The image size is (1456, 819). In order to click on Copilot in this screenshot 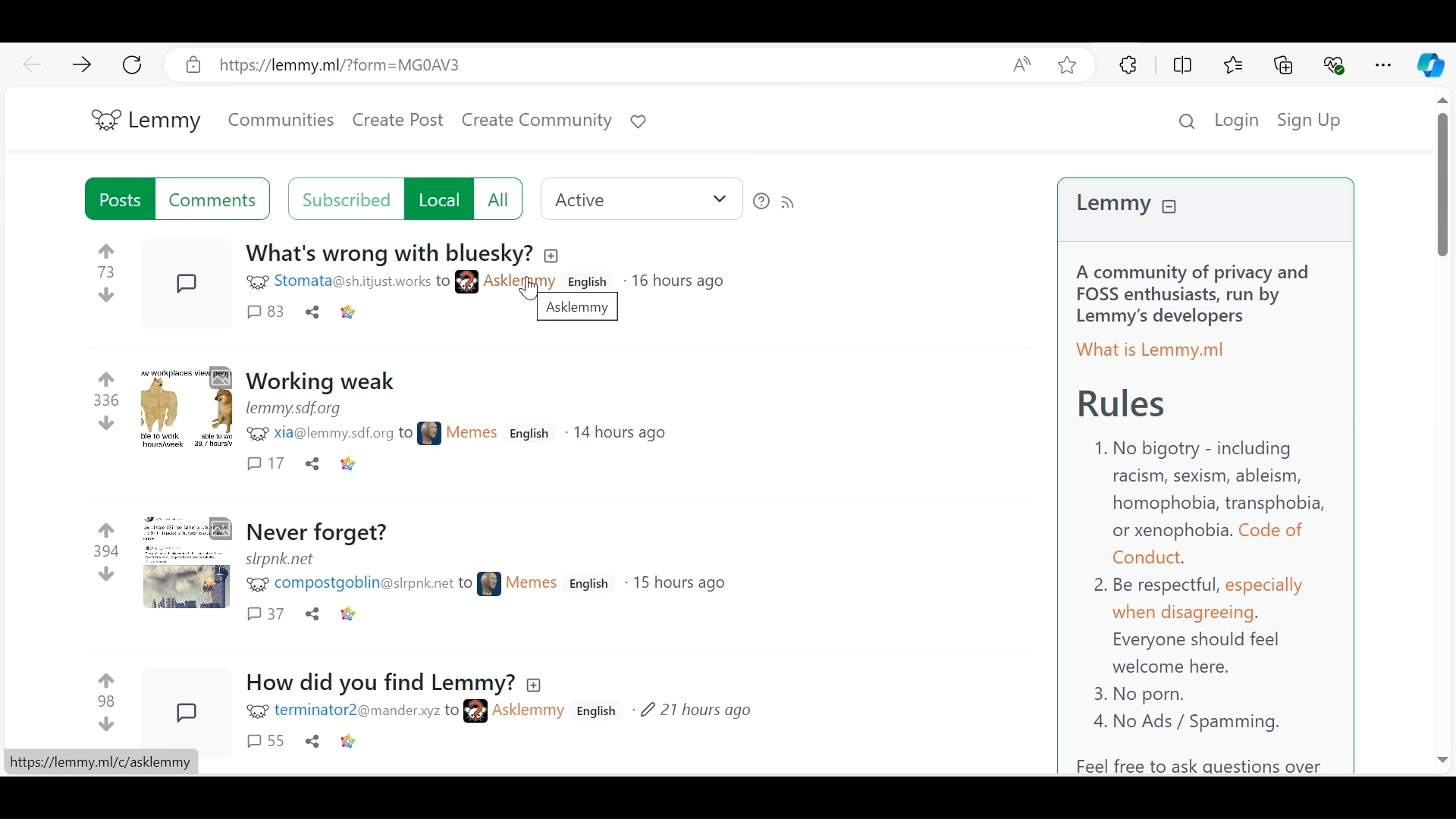, I will do `click(1431, 65)`.